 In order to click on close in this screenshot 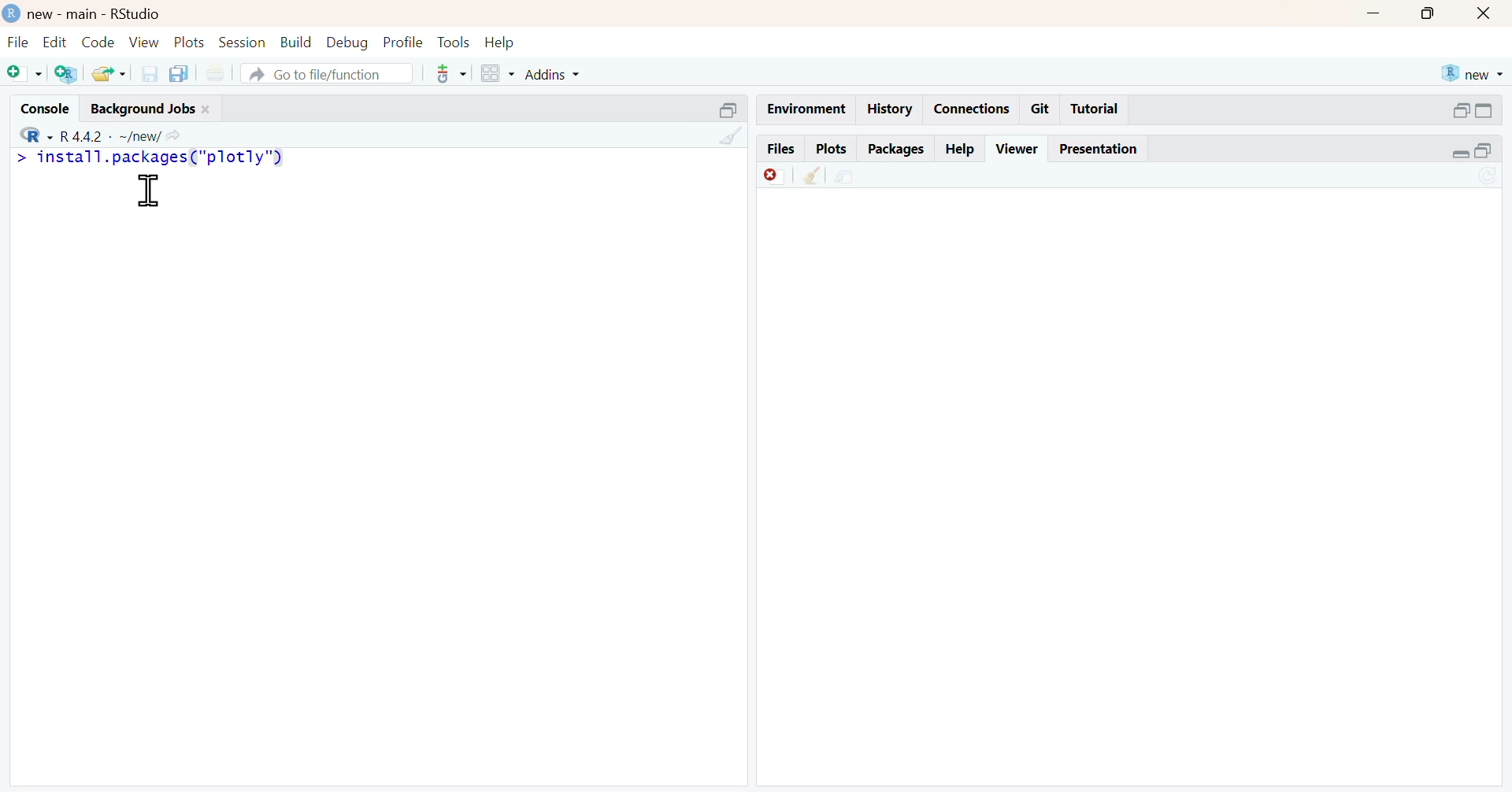, I will do `click(210, 108)`.